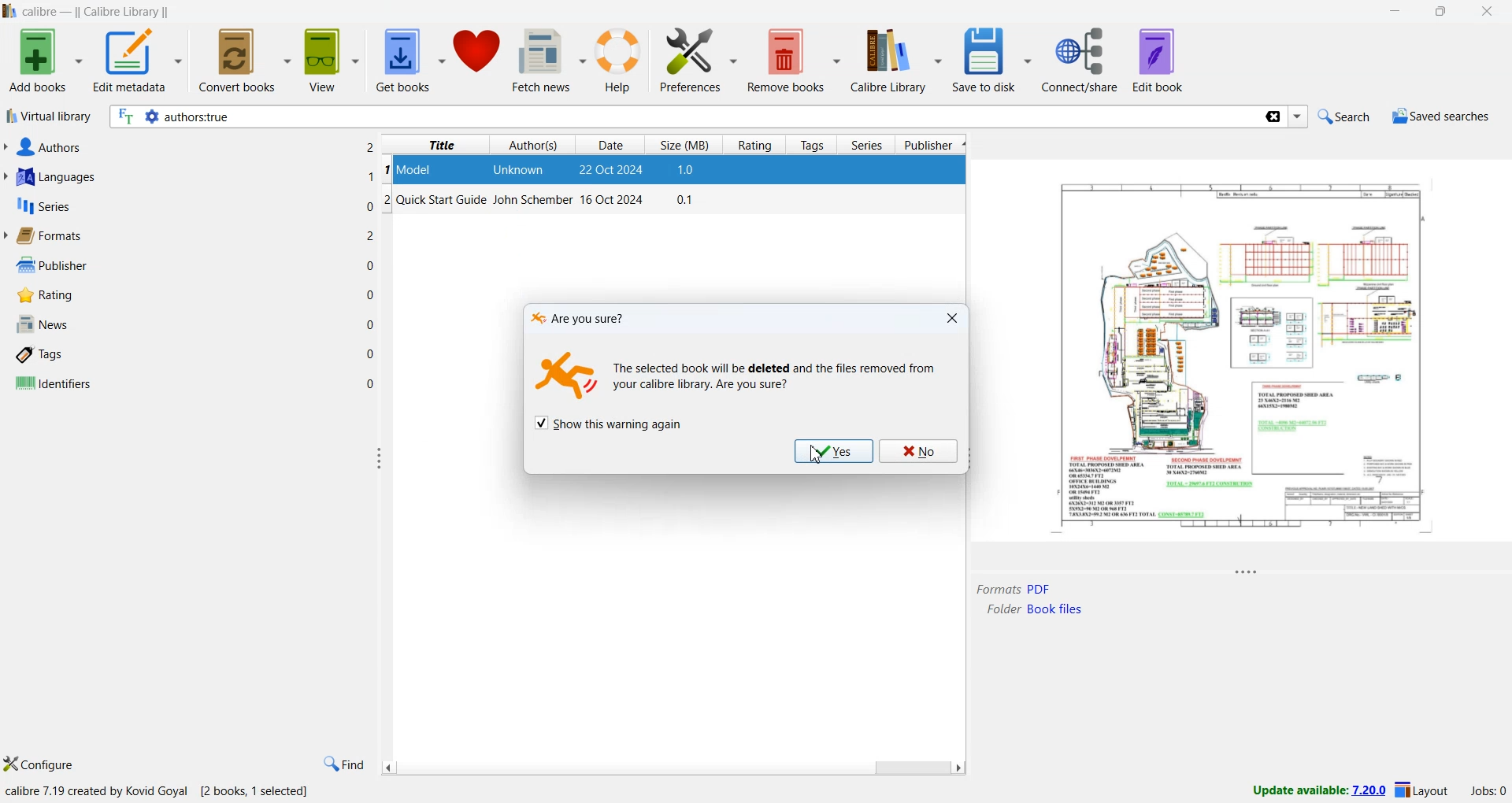 The height and width of the screenshot is (803, 1512). What do you see at coordinates (258, 793) in the screenshot?
I see `2 books selected` at bounding box center [258, 793].